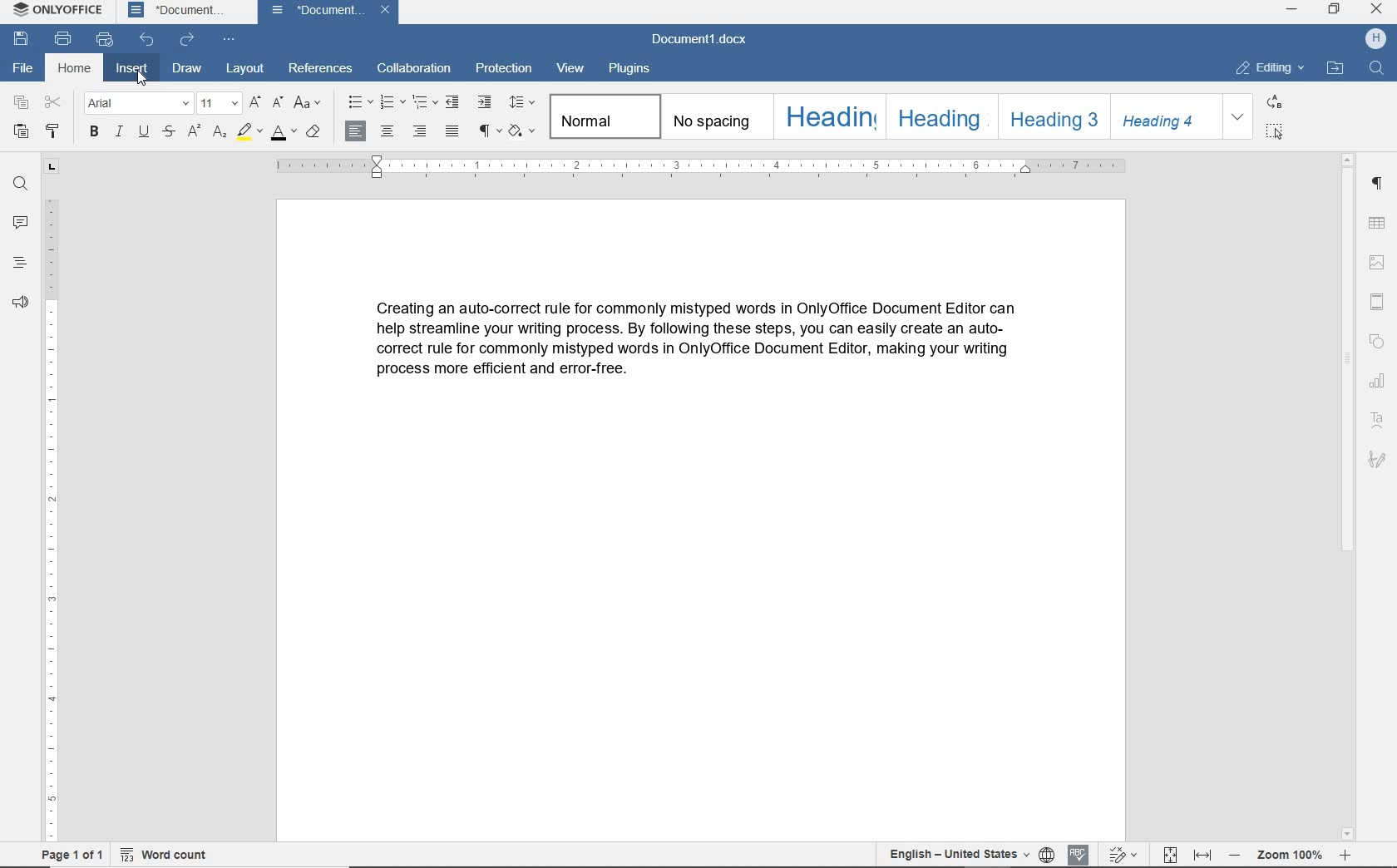 The width and height of the screenshot is (1397, 868). Describe the element at coordinates (328, 12) in the screenshot. I see `document name` at that location.